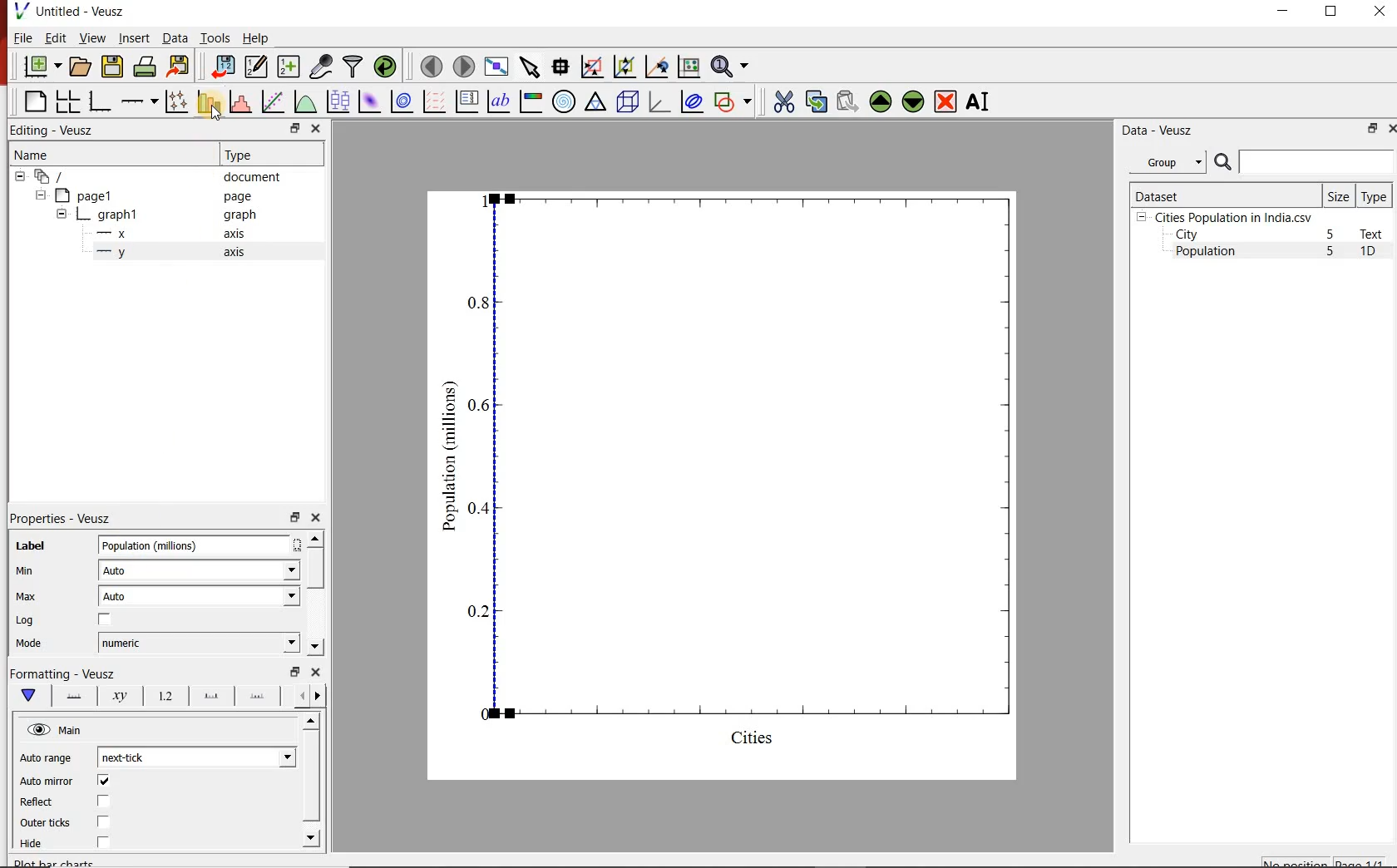 The height and width of the screenshot is (868, 1397). What do you see at coordinates (312, 695) in the screenshot?
I see `Grid lines` at bounding box center [312, 695].